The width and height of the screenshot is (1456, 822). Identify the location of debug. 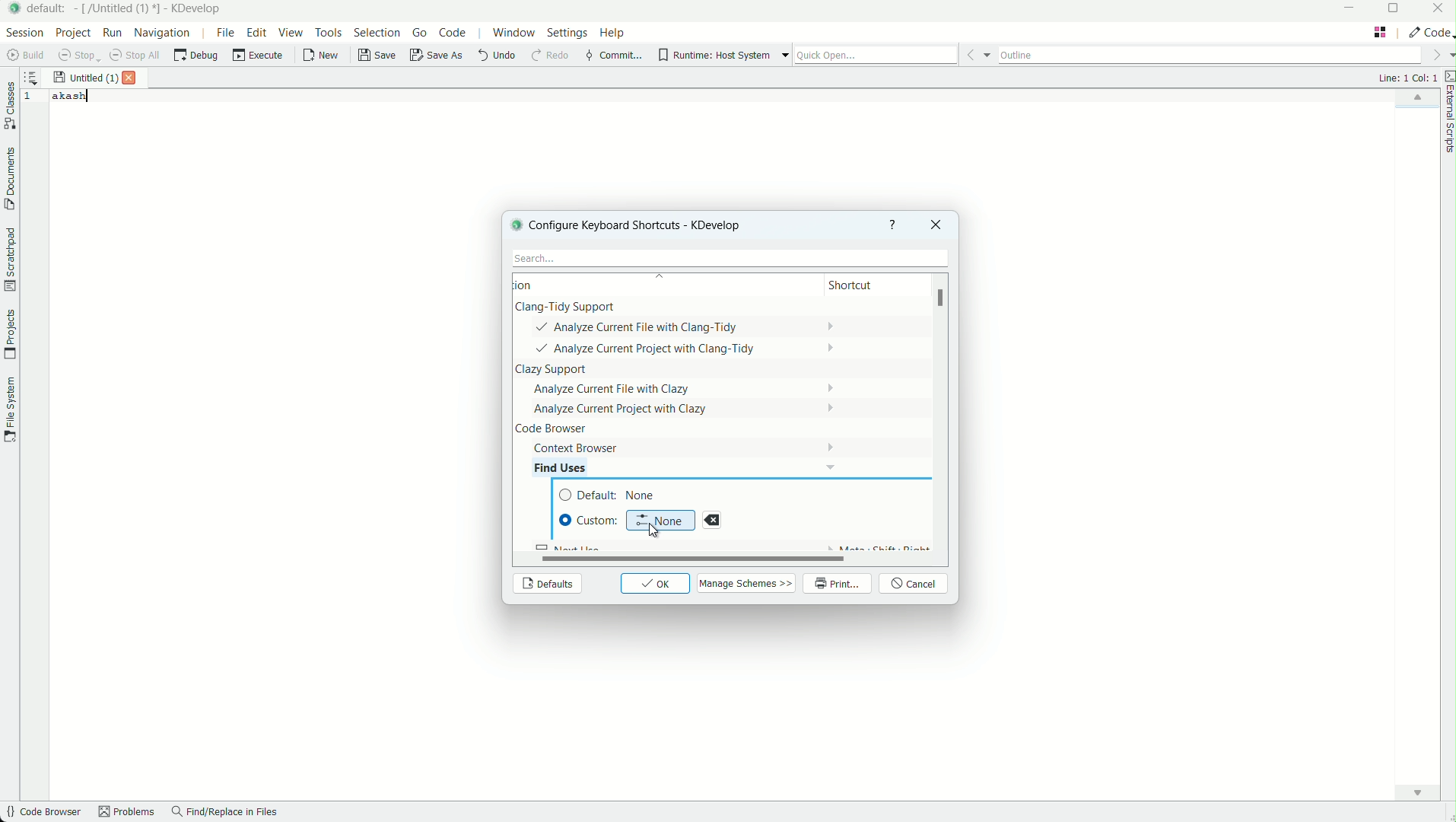
(196, 56).